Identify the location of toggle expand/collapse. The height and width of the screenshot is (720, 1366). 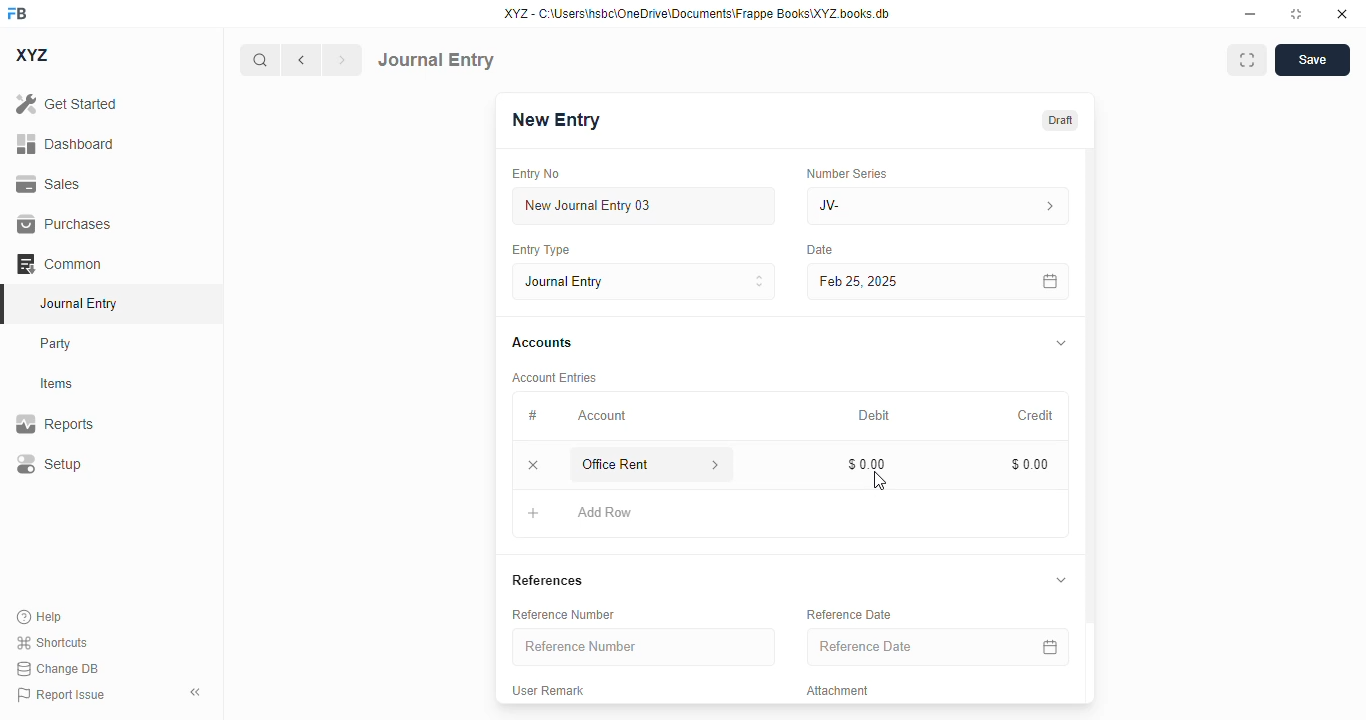
(1062, 343).